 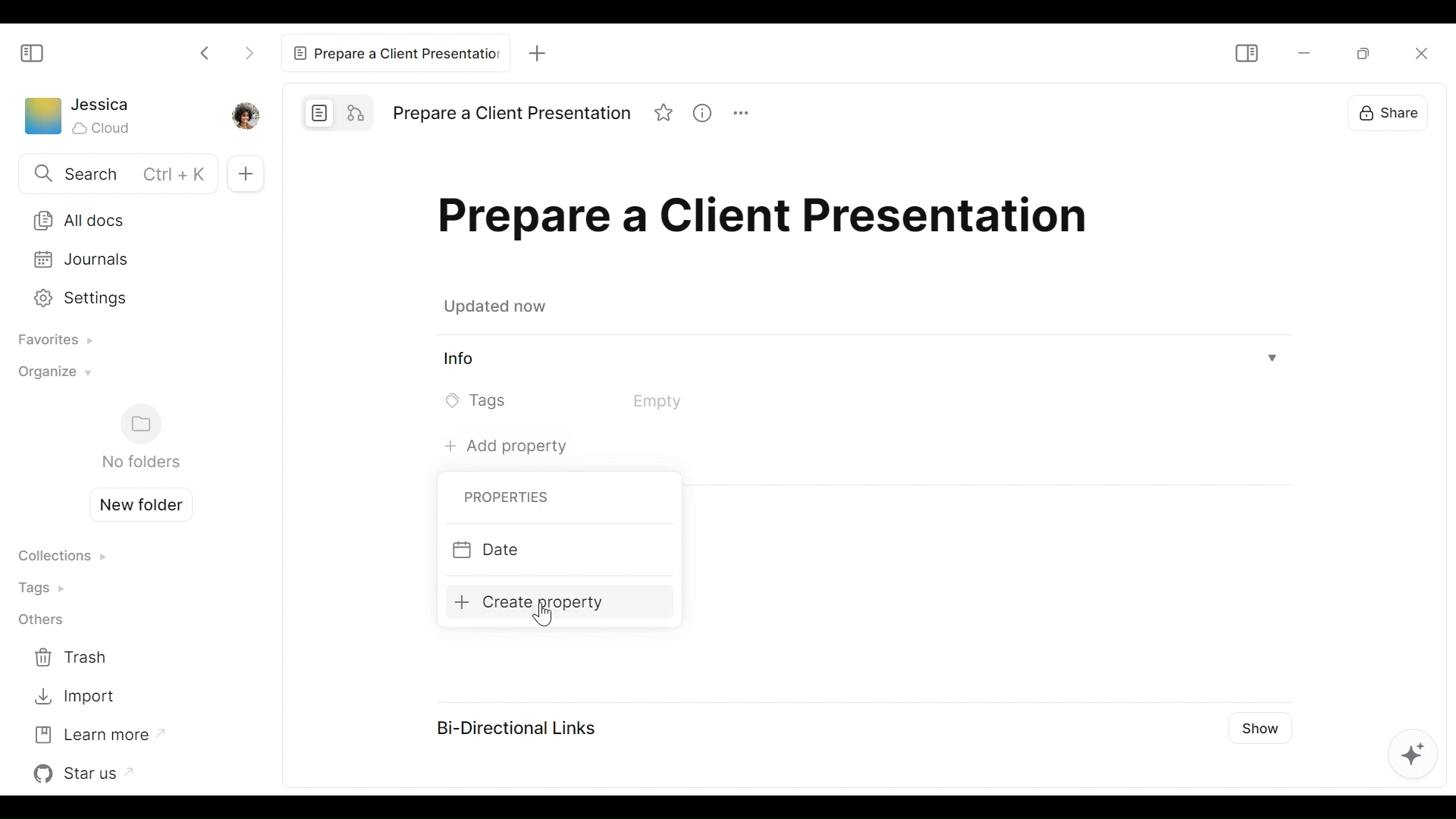 What do you see at coordinates (46, 587) in the screenshot?
I see `Tags` at bounding box center [46, 587].